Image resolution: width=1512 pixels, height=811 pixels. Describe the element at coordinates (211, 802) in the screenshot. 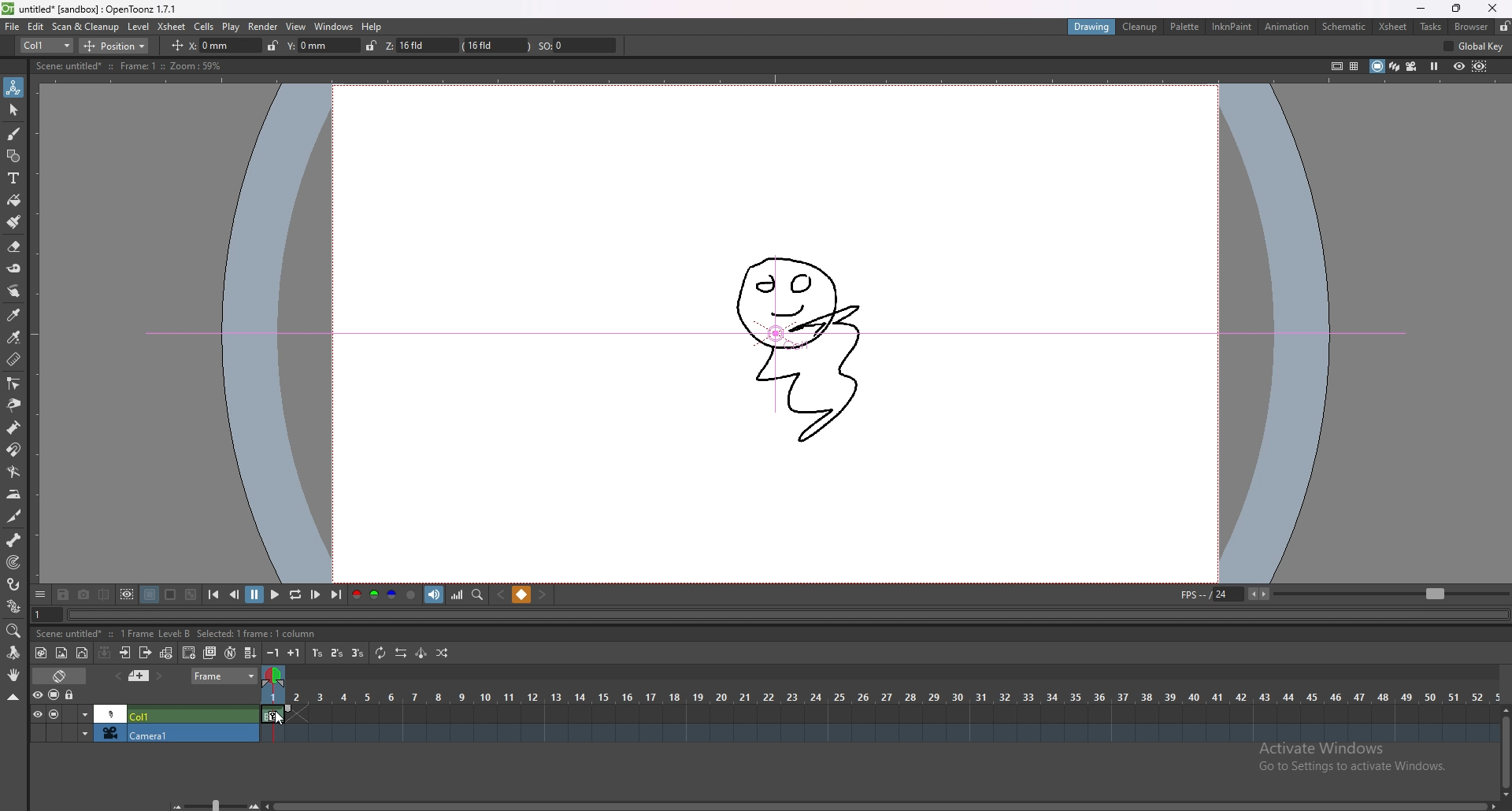

I see `Zoom` at that location.